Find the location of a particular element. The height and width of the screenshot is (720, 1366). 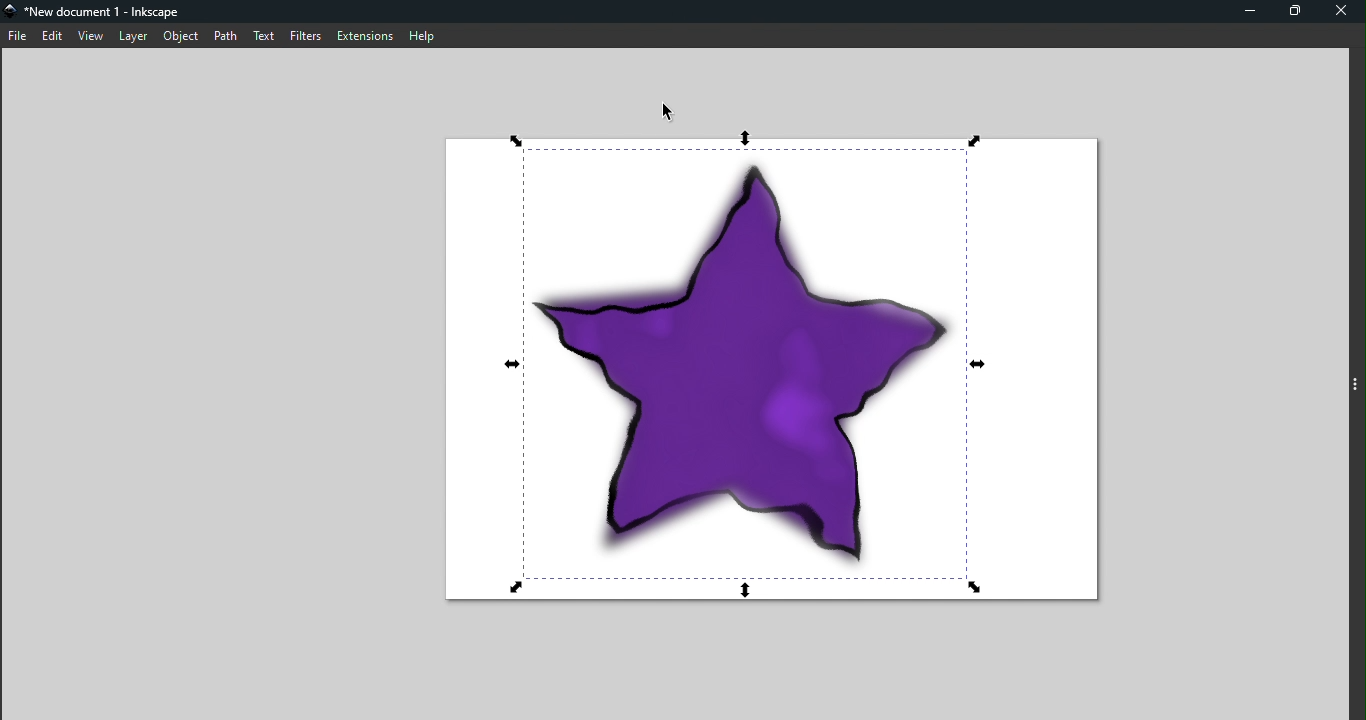

Object is located at coordinates (183, 36).